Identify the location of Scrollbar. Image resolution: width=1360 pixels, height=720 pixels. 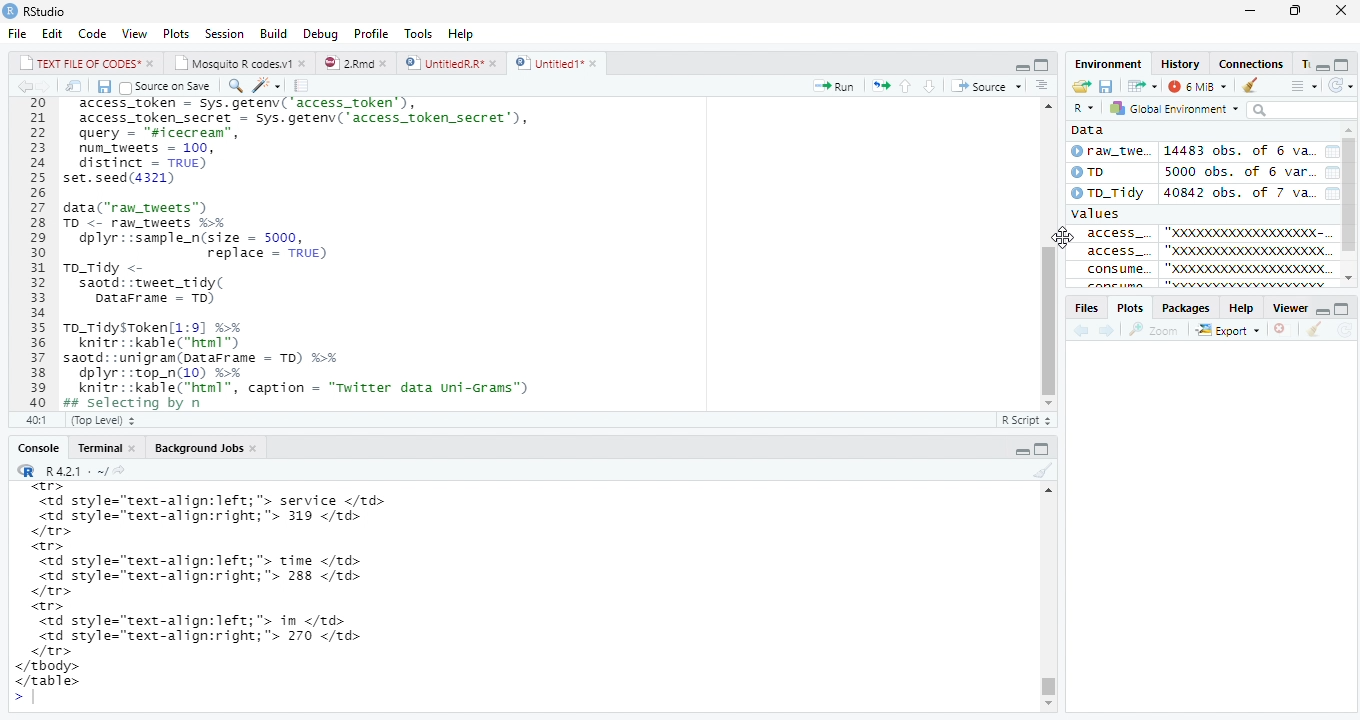
(1050, 603).